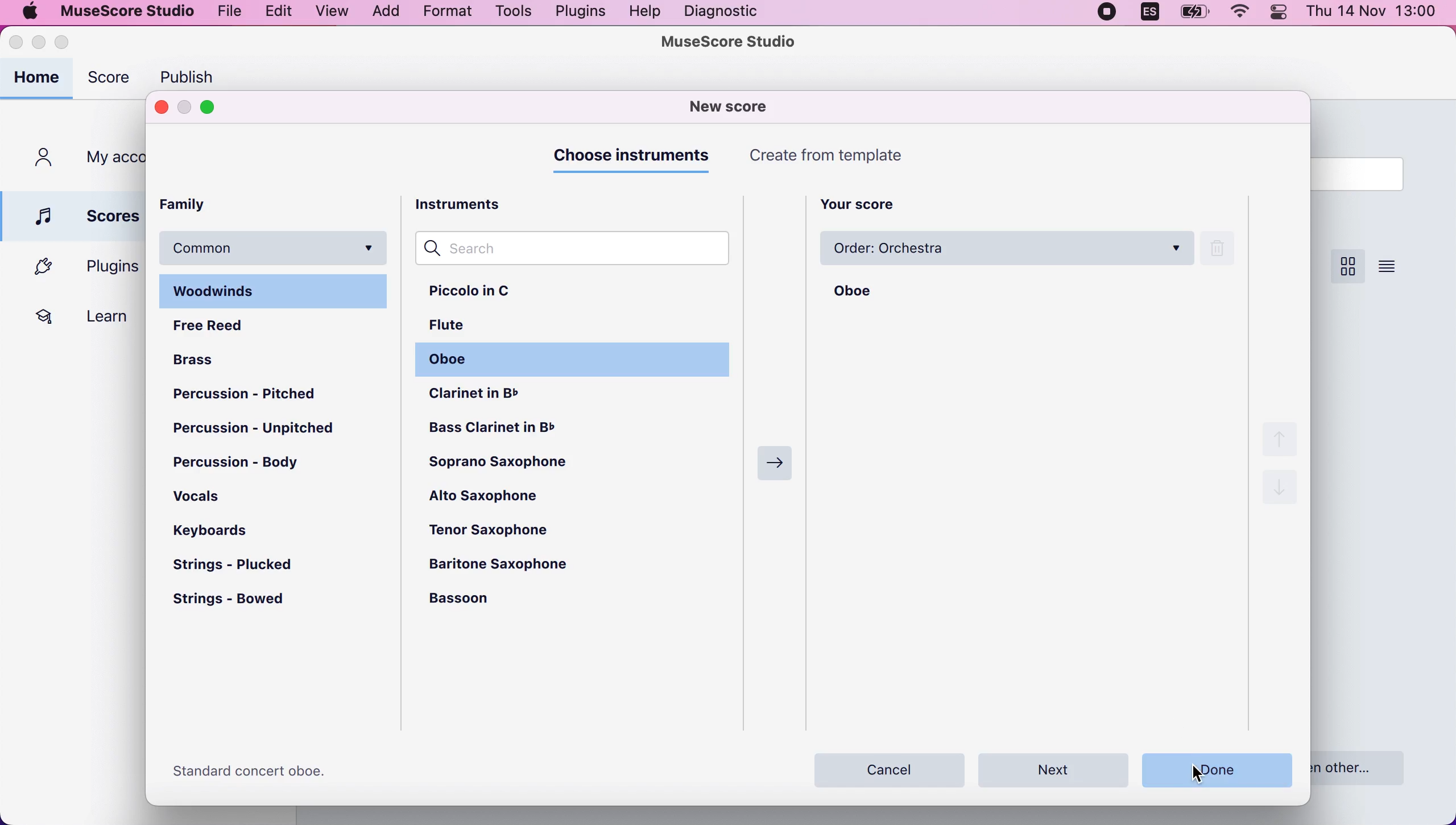 The image size is (1456, 825). I want to click on baritone saxophone, so click(511, 564).